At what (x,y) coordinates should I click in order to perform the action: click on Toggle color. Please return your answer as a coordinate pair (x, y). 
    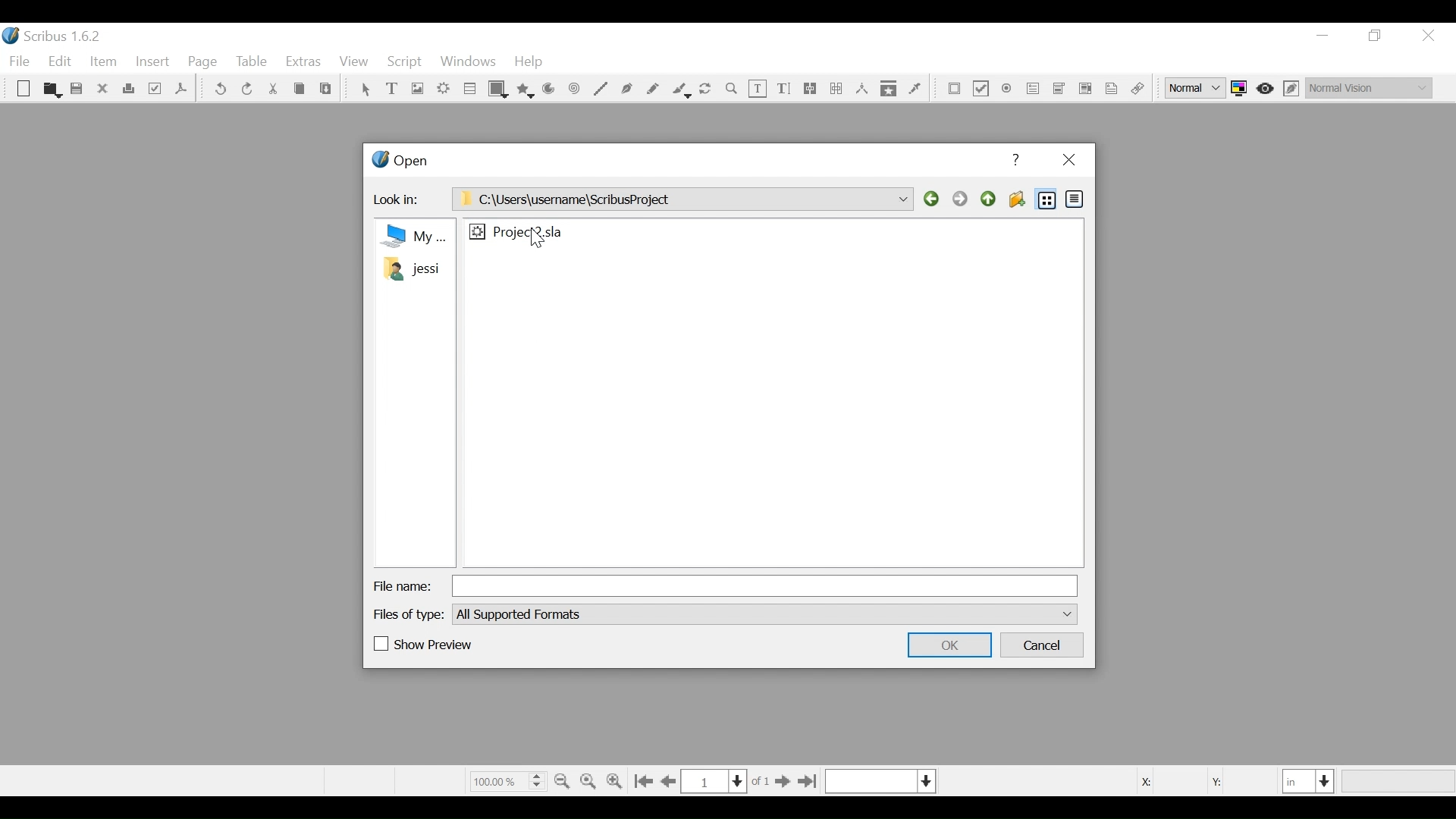
    Looking at the image, I should click on (1243, 88).